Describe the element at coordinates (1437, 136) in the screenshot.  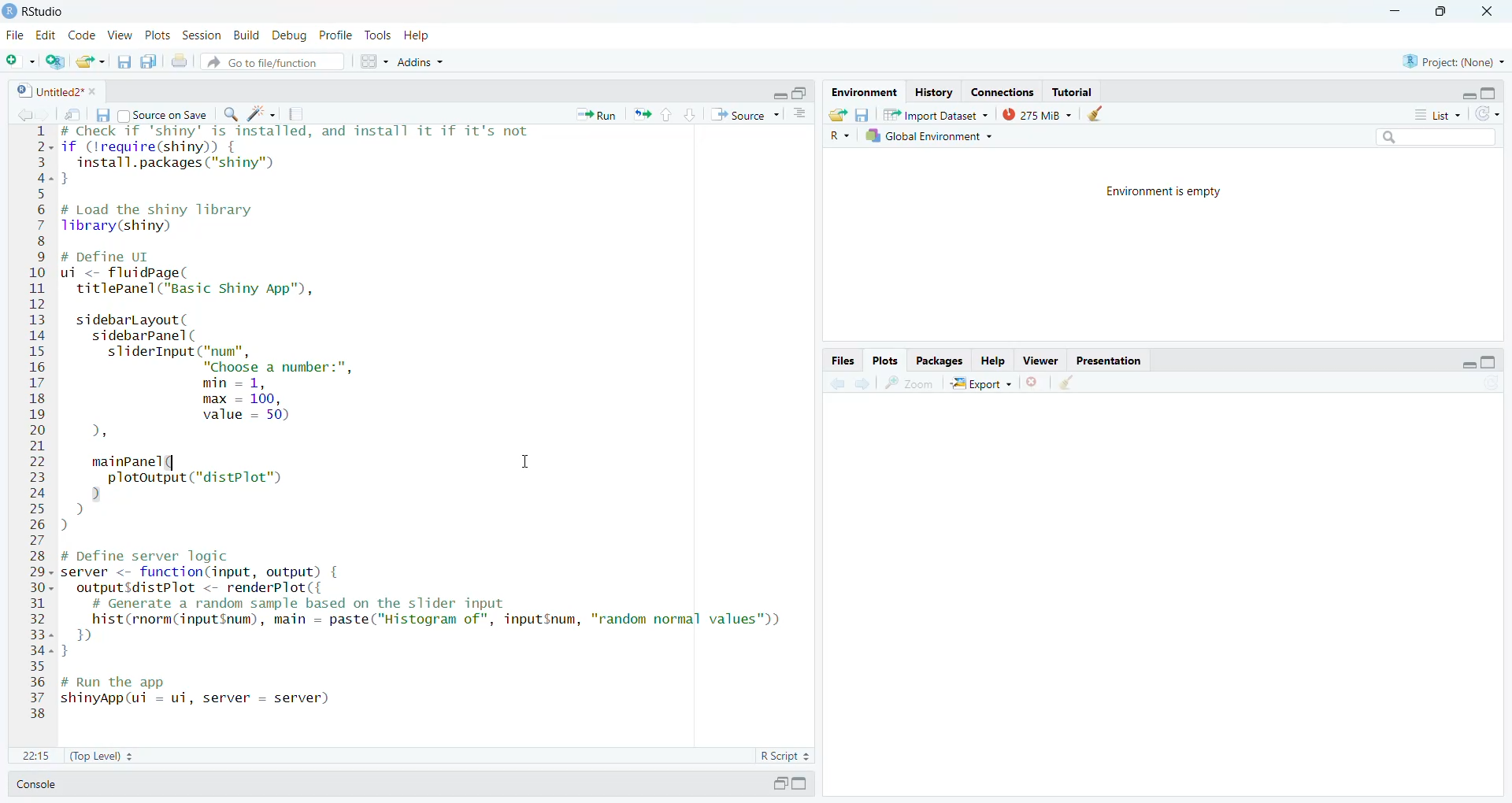
I see `search` at that location.